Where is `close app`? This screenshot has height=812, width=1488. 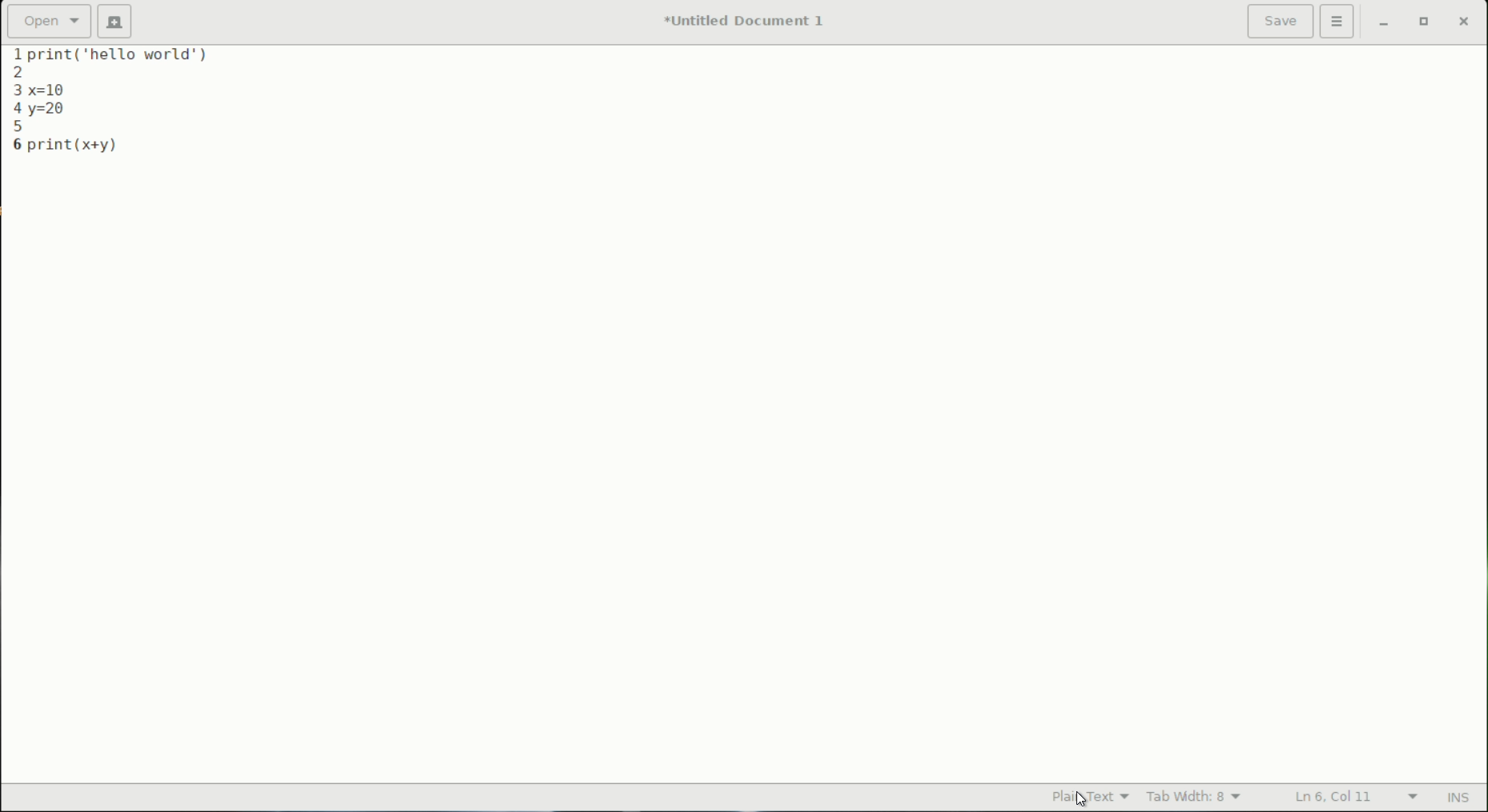
close app is located at coordinates (1466, 24).